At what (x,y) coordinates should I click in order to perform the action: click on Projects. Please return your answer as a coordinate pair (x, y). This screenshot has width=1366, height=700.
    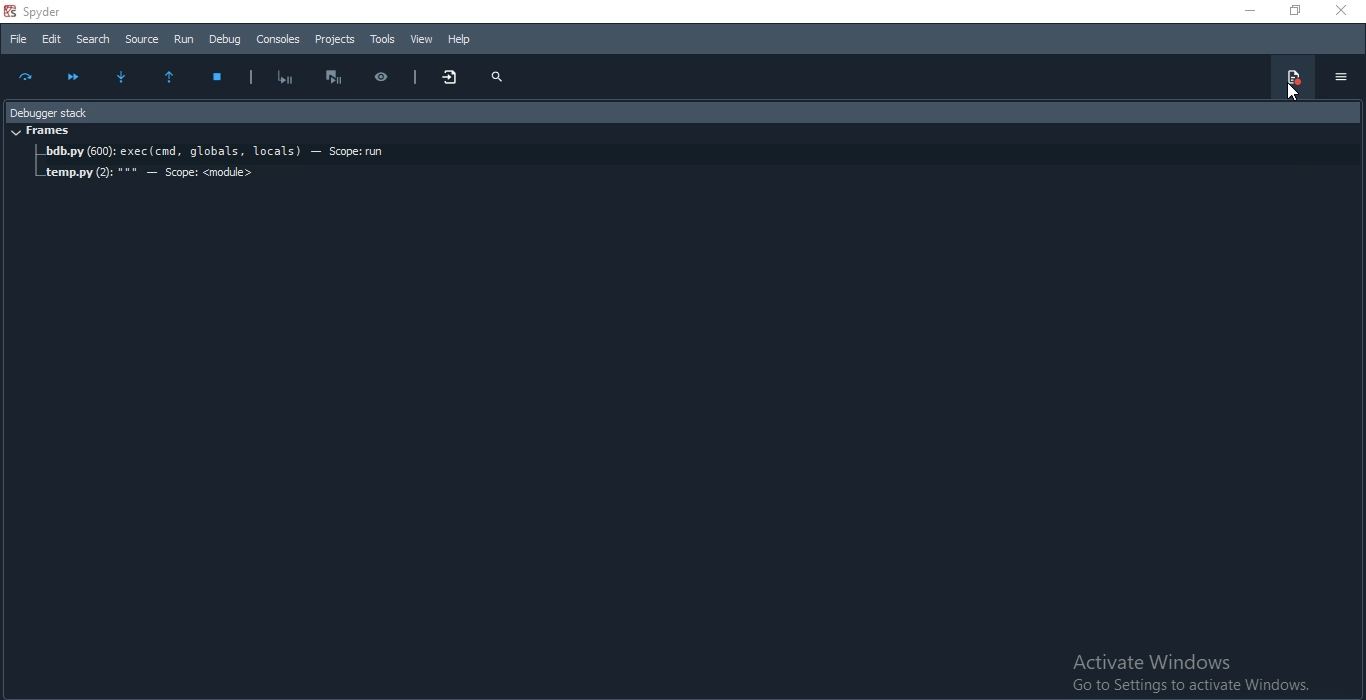
    Looking at the image, I should click on (336, 40).